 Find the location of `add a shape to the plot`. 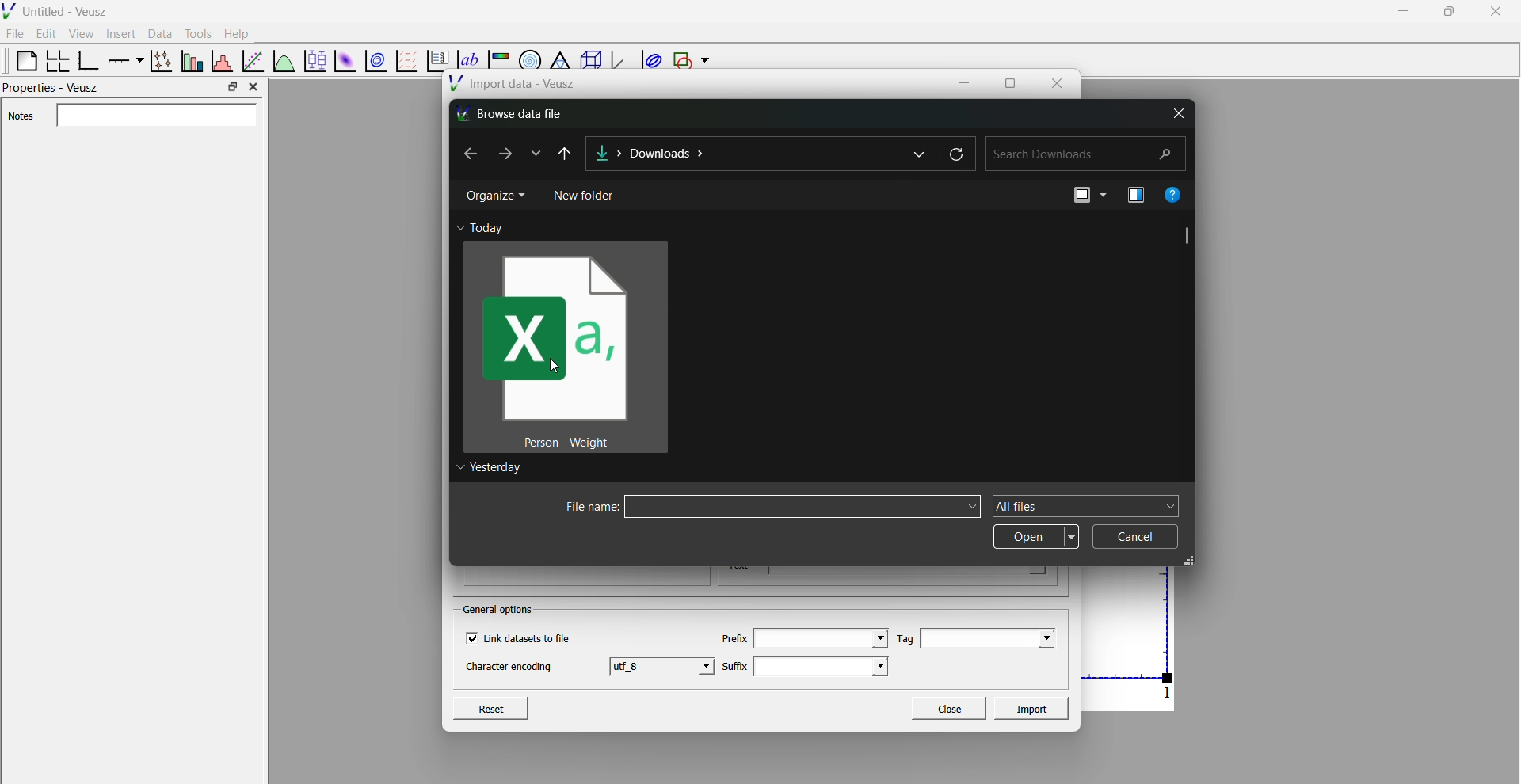

add a shape to the plot is located at coordinates (681, 61).